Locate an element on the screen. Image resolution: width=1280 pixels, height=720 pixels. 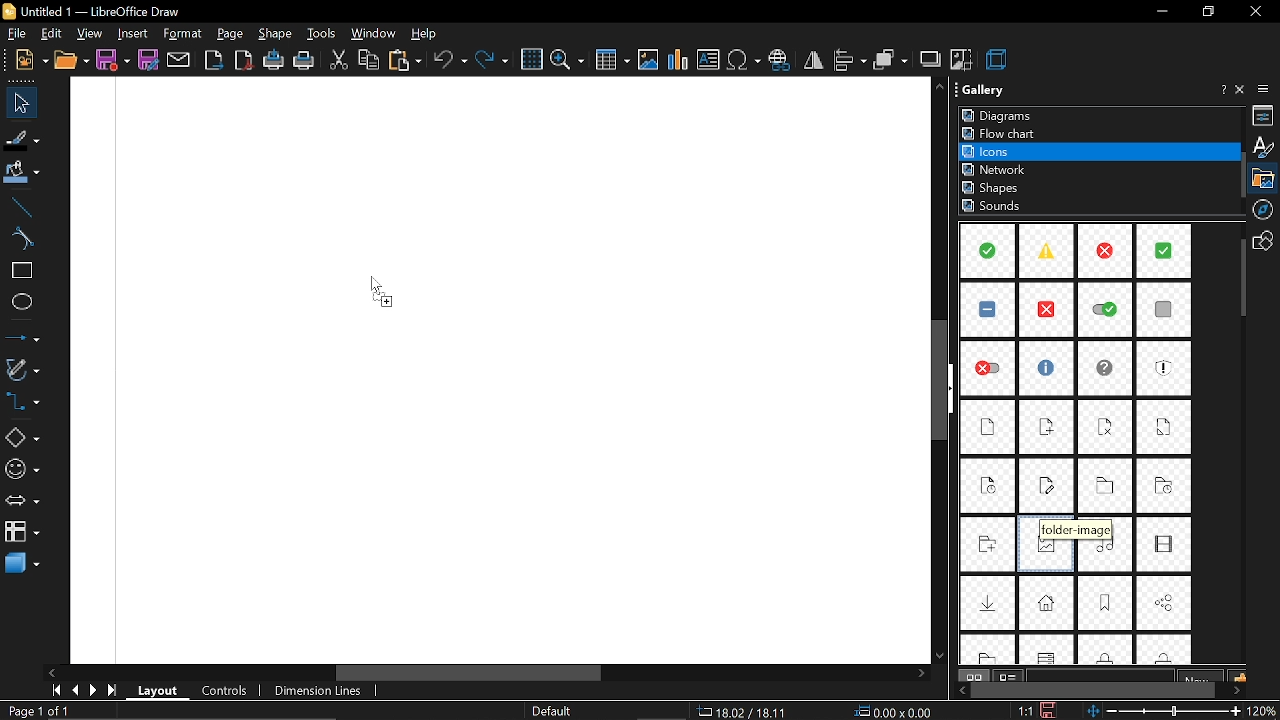
export as pdf is located at coordinates (244, 59).